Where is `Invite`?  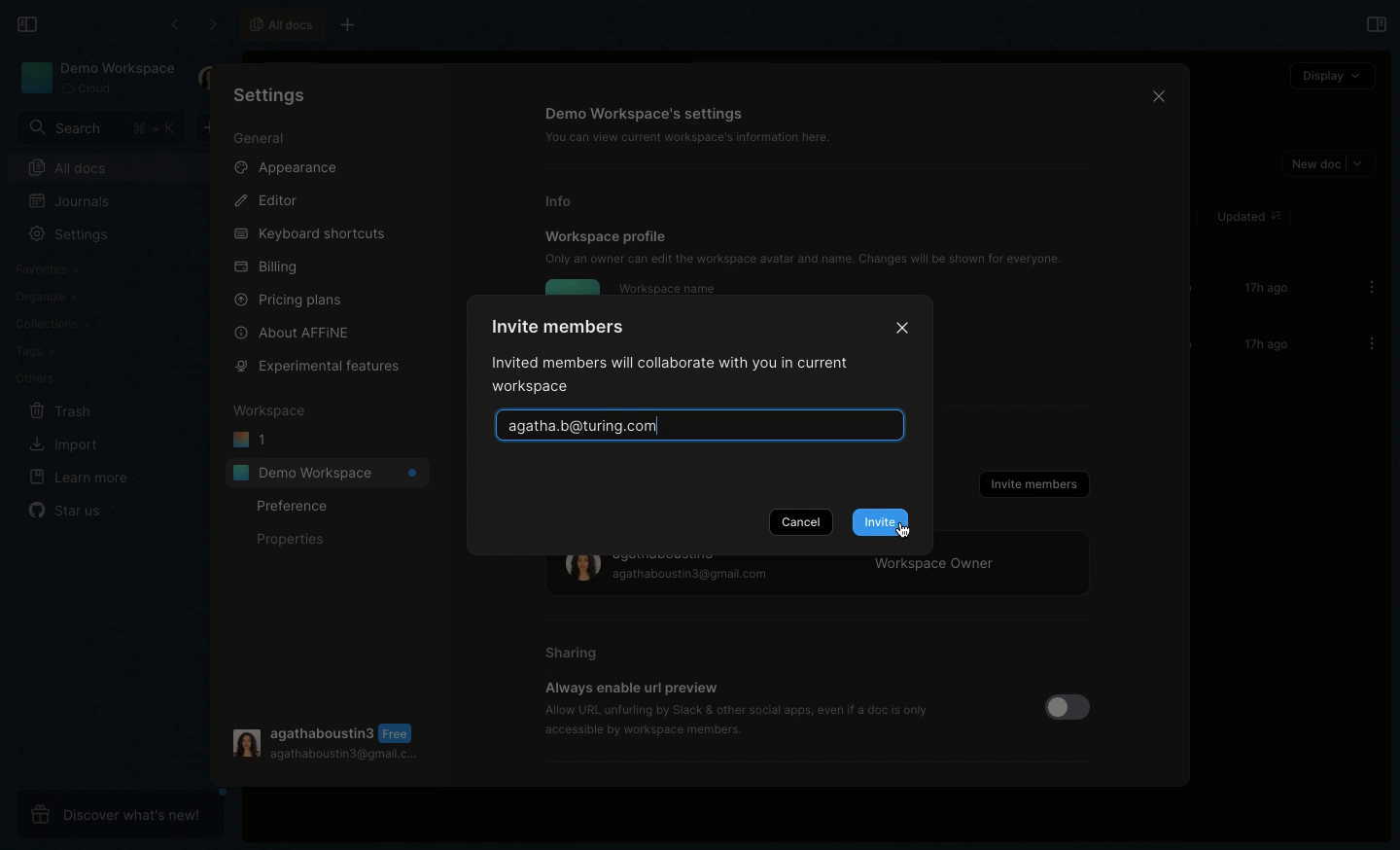 Invite is located at coordinates (880, 522).